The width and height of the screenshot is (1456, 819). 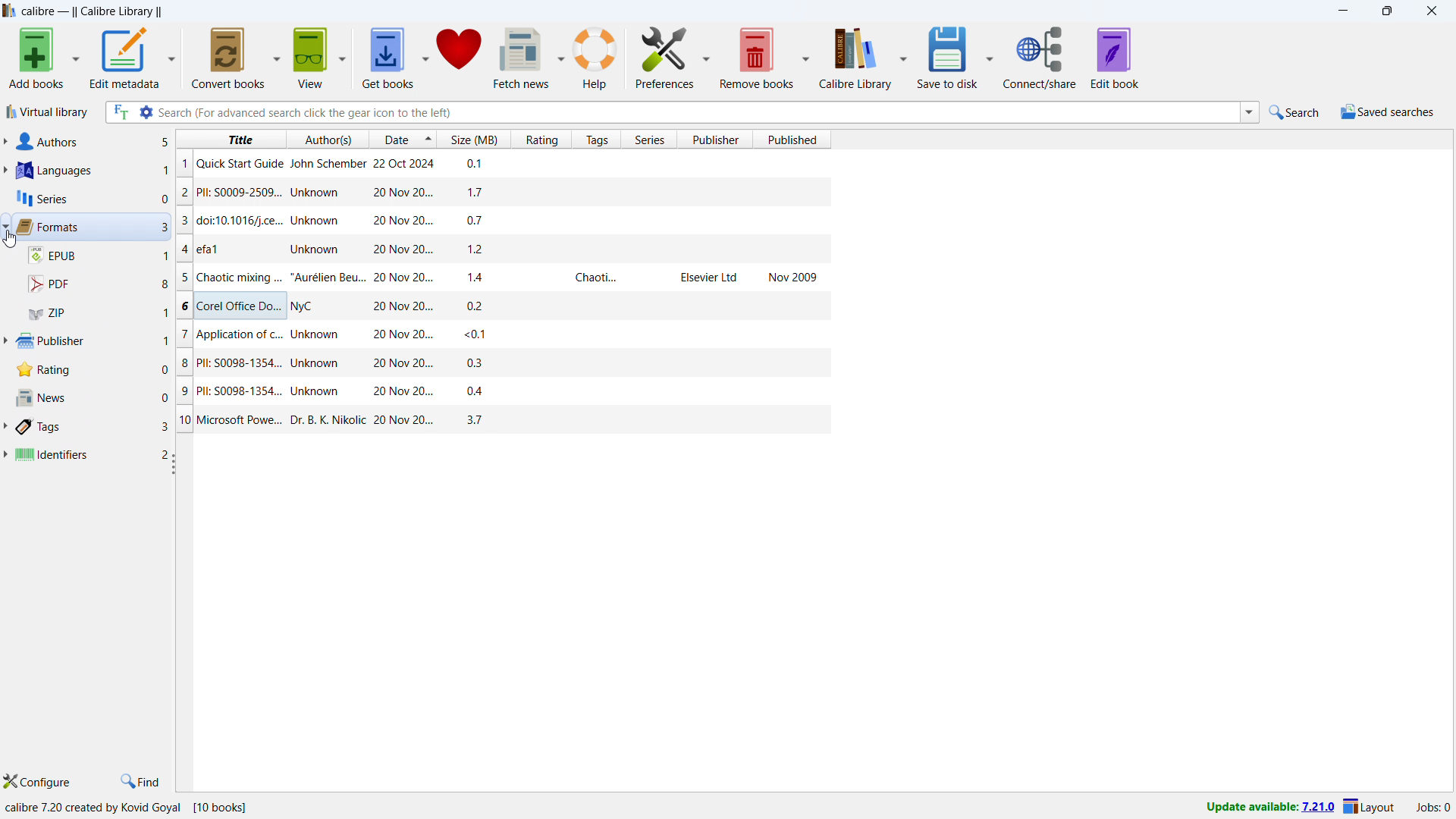 I want to click on add books options, so click(x=76, y=57).